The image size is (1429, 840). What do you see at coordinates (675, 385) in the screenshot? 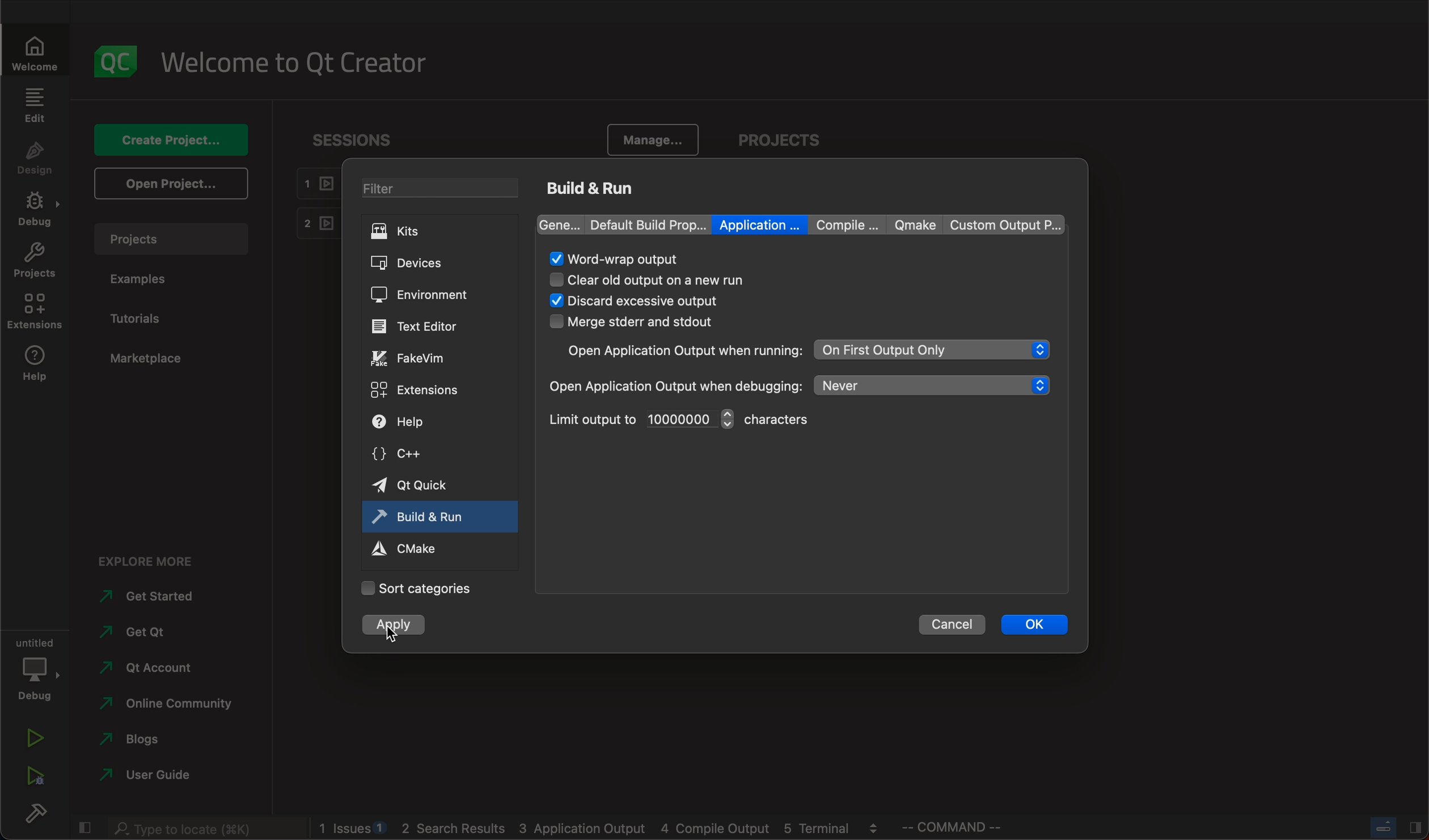
I see `open when debugging` at bounding box center [675, 385].